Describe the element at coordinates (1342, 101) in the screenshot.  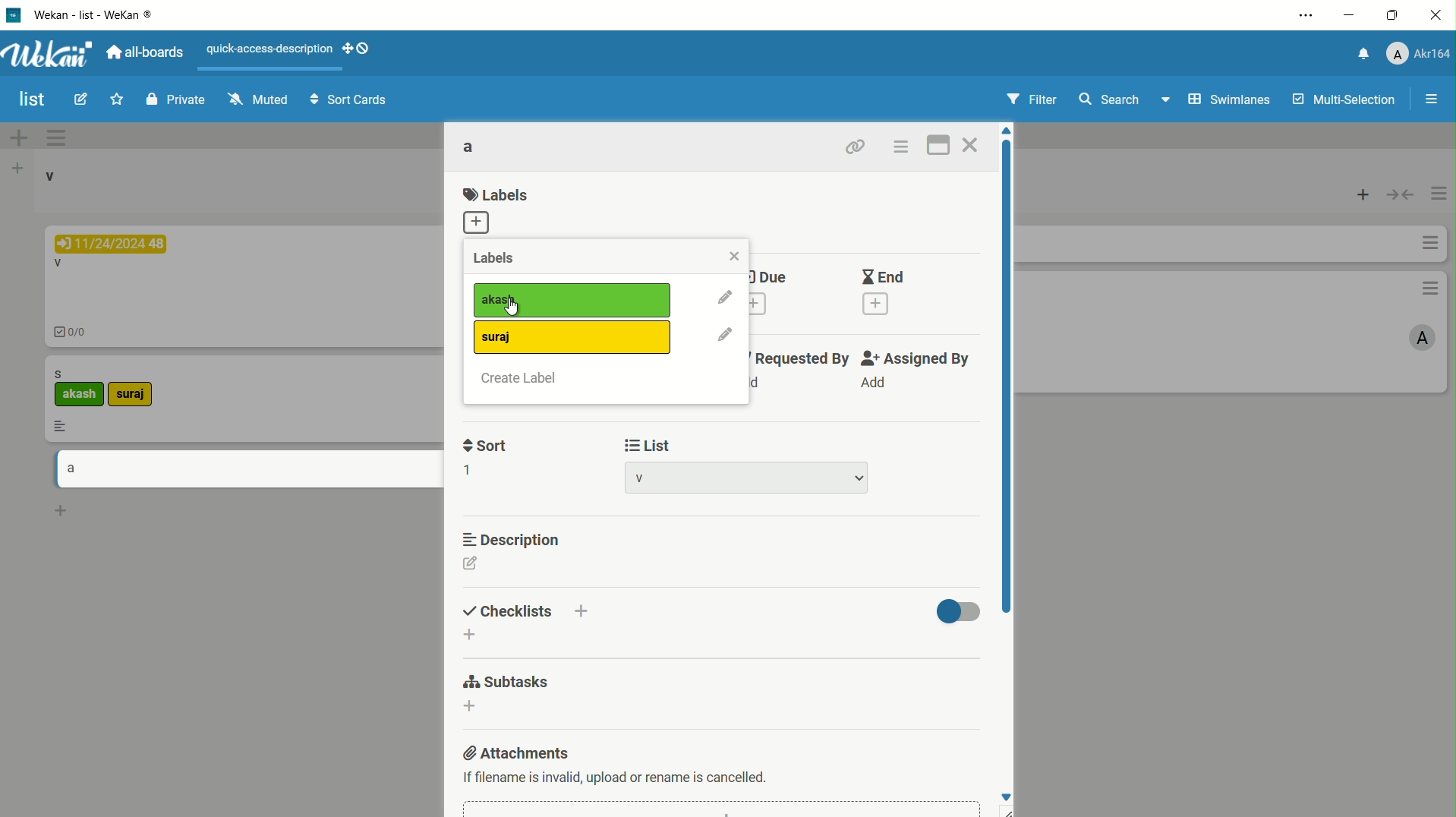
I see `multi selections` at that location.